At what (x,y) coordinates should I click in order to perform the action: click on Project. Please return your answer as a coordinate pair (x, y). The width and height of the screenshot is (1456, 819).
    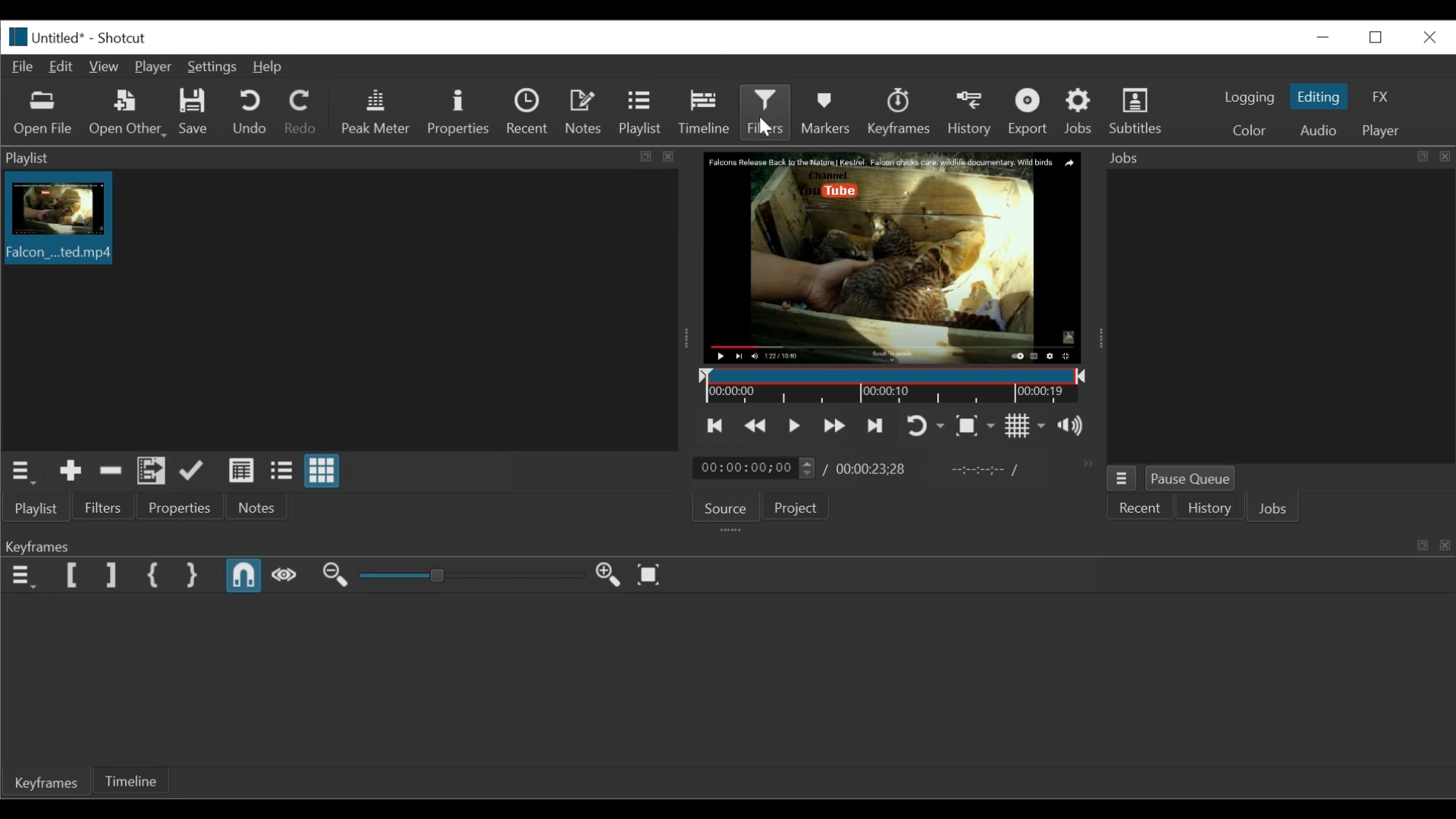
    Looking at the image, I should click on (795, 507).